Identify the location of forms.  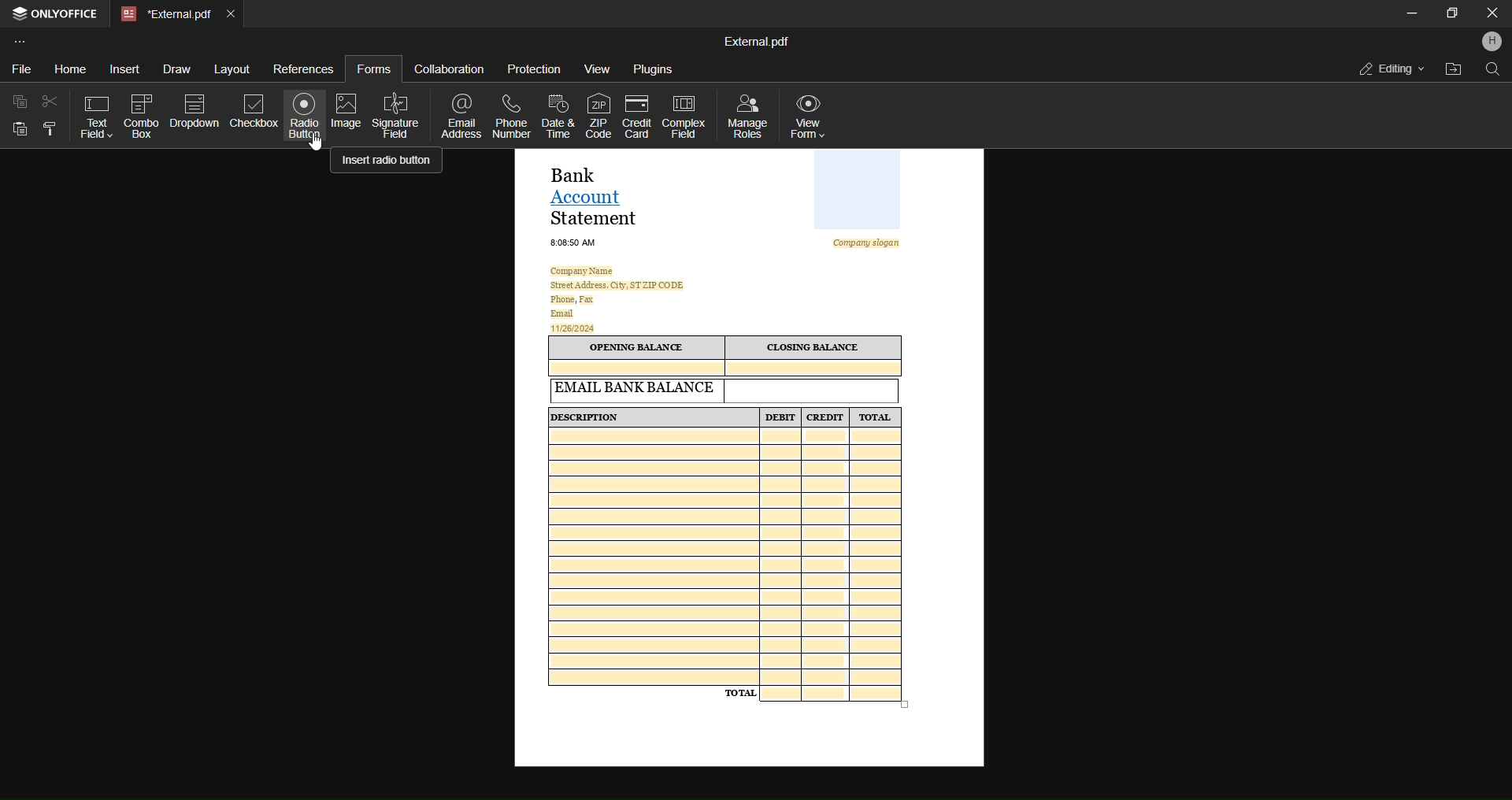
(371, 66).